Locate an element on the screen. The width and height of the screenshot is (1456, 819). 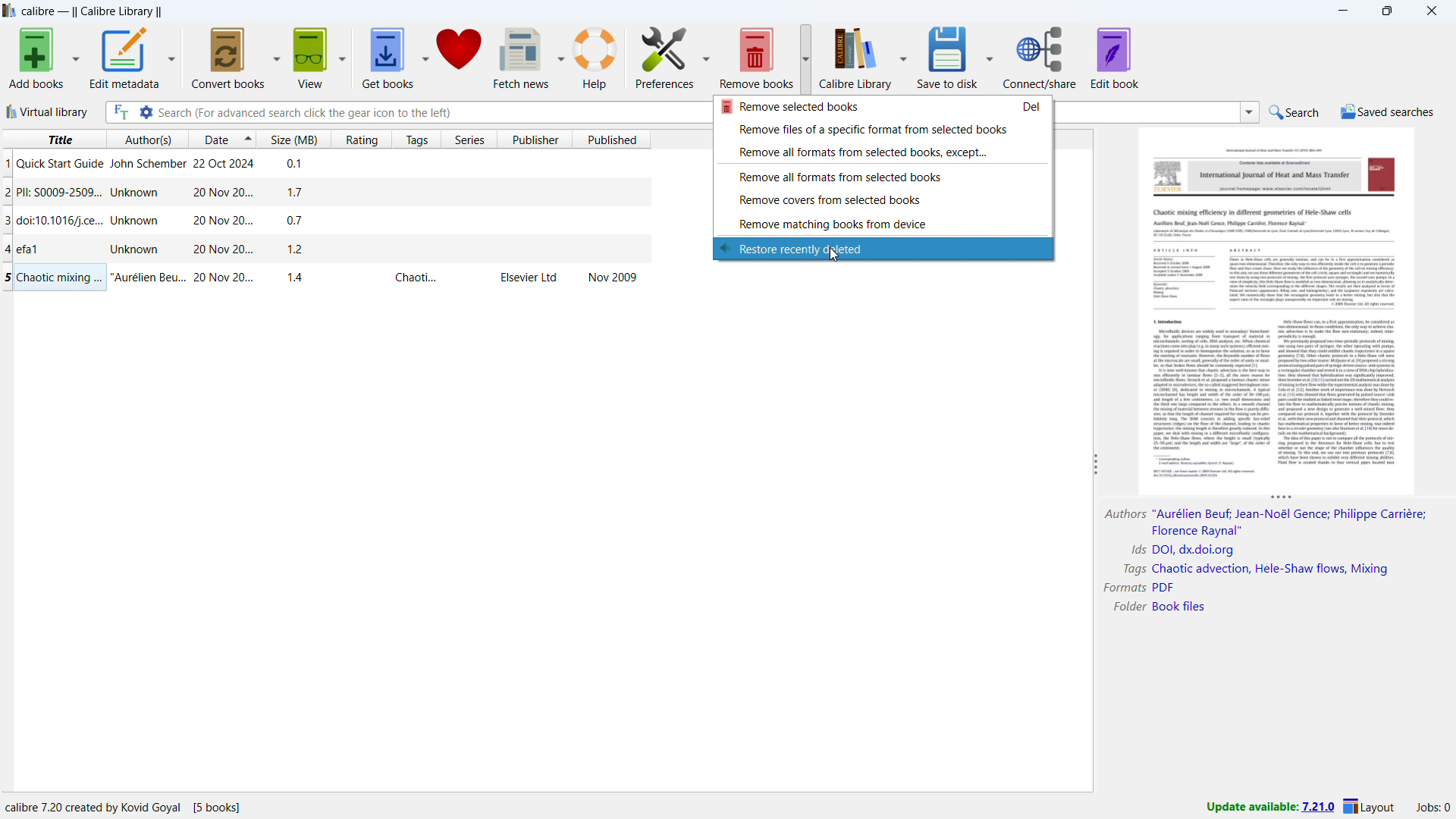
preferences is located at coordinates (665, 58).